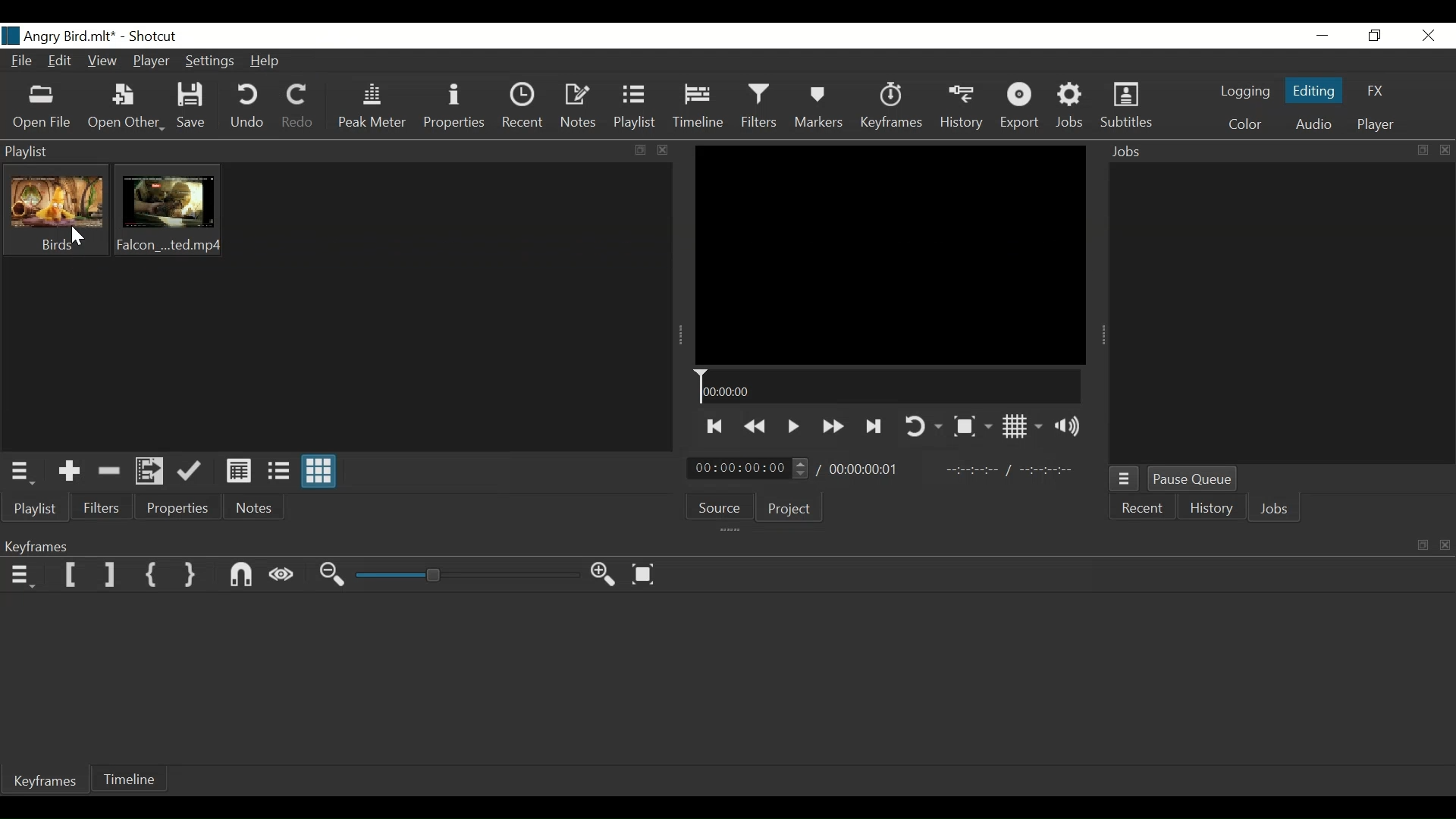 This screenshot has height=819, width=1456. I want to click on Keyframe, so click(49, 784).